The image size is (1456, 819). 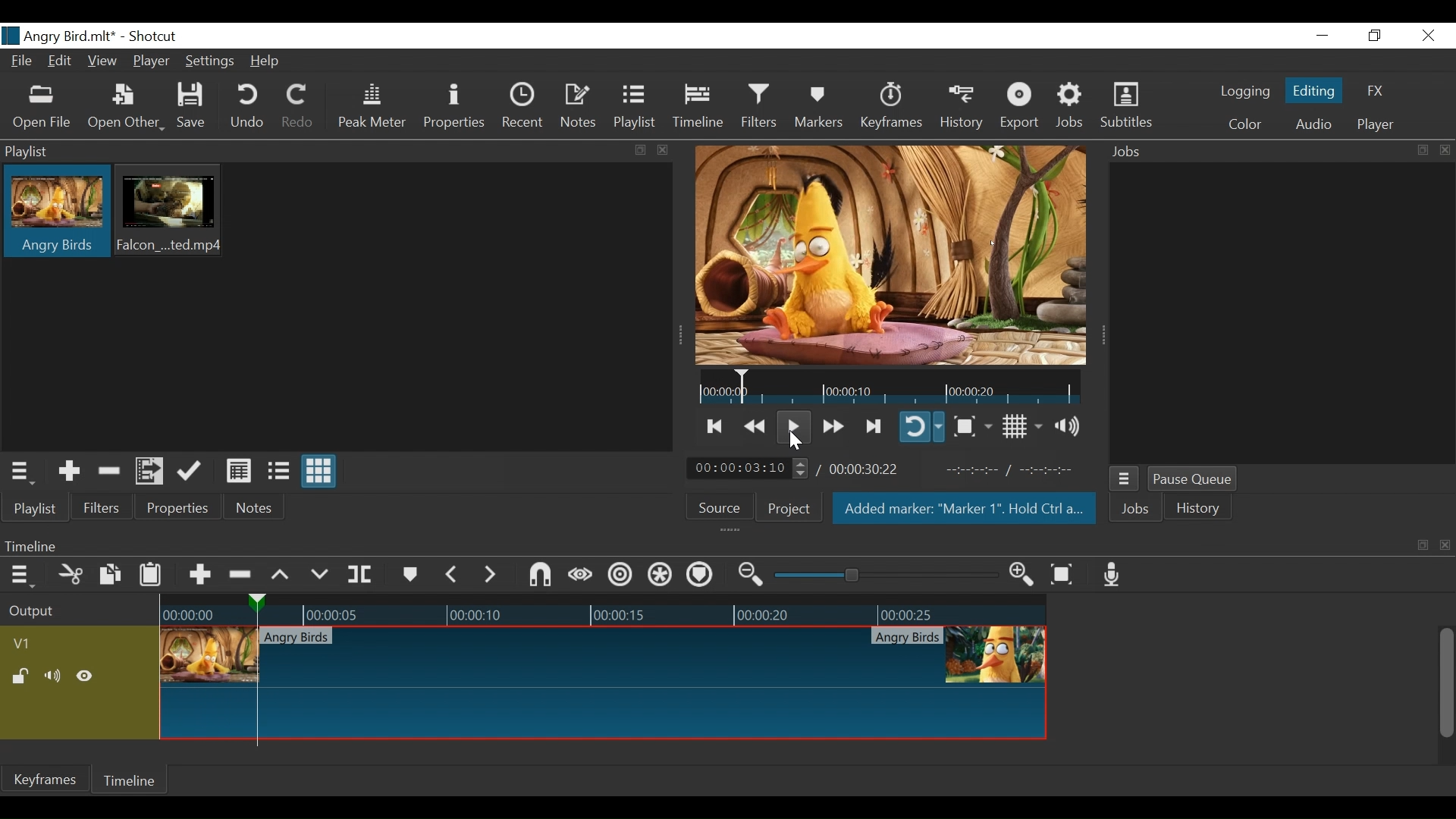 I want to click on Notes, so click(x=581, y=108).